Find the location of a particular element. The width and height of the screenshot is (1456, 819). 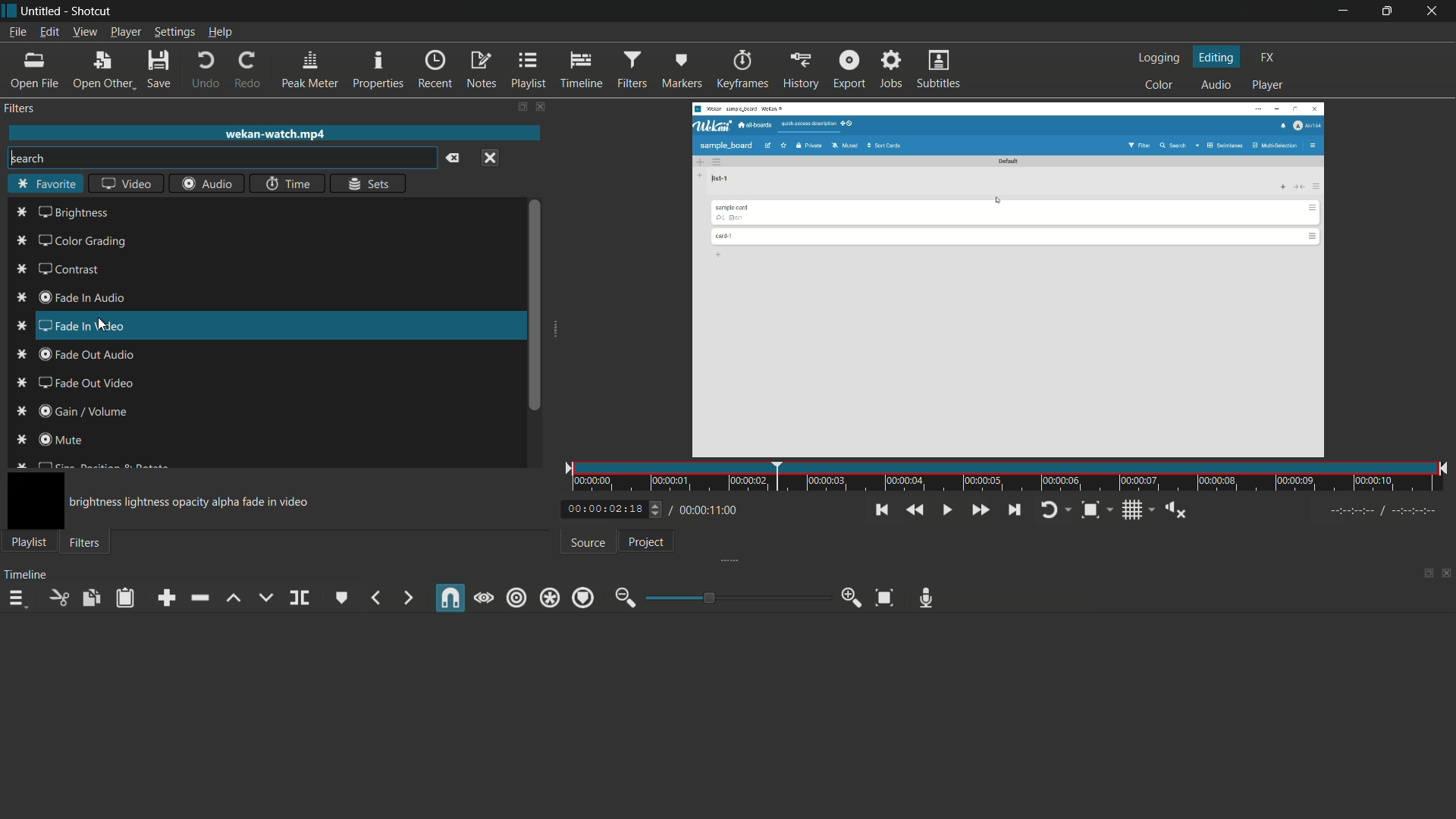

undo is located at coordinates (206, 71).